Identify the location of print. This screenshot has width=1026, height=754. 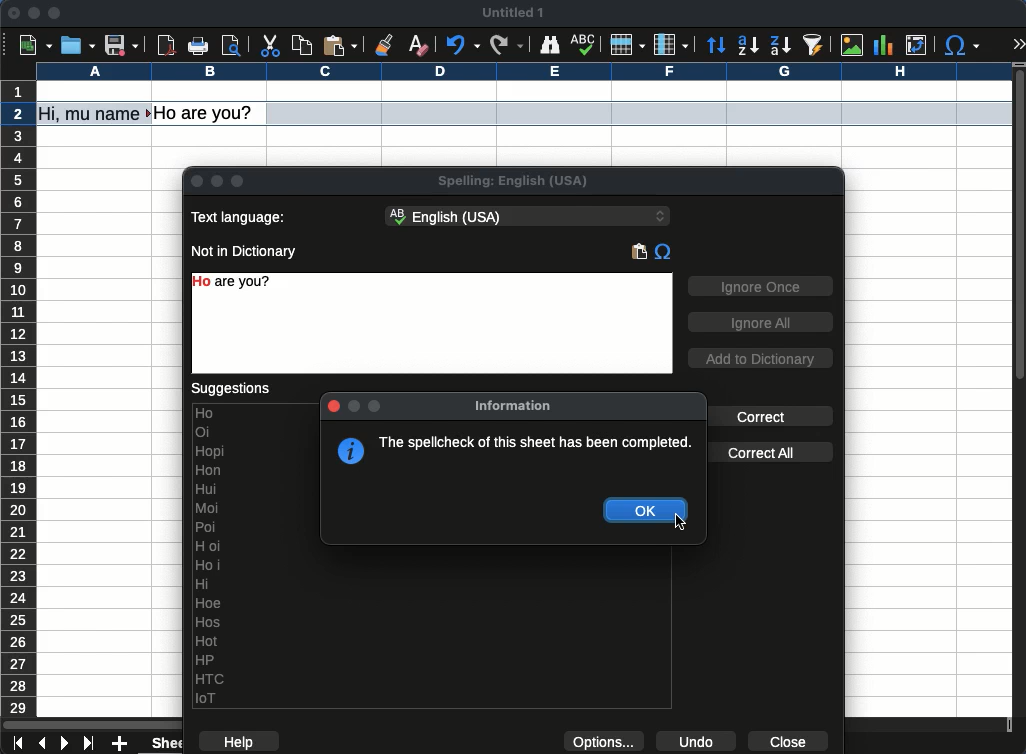
(199, 45).